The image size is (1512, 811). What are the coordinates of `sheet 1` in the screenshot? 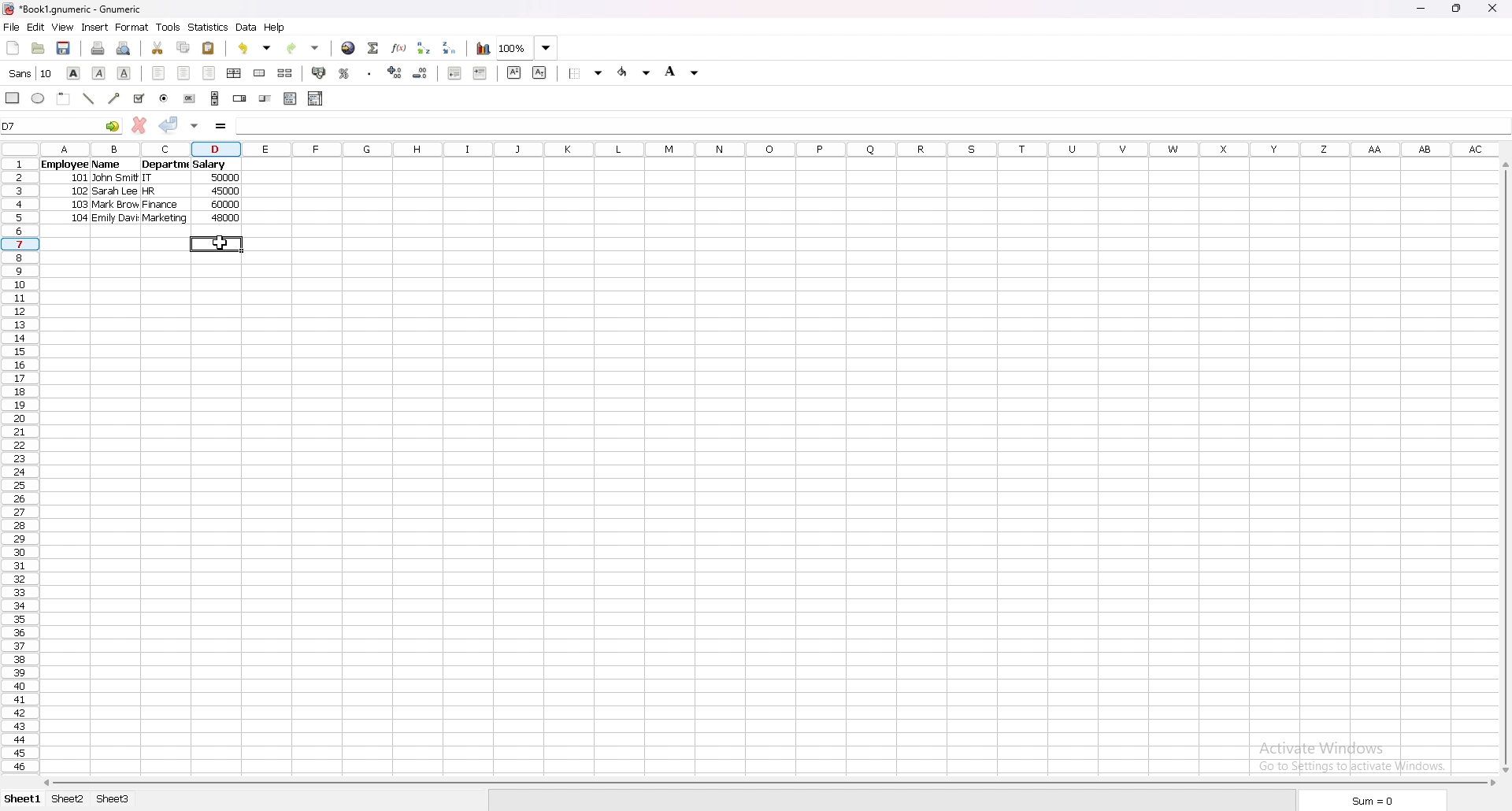 It's located at (20, 800).